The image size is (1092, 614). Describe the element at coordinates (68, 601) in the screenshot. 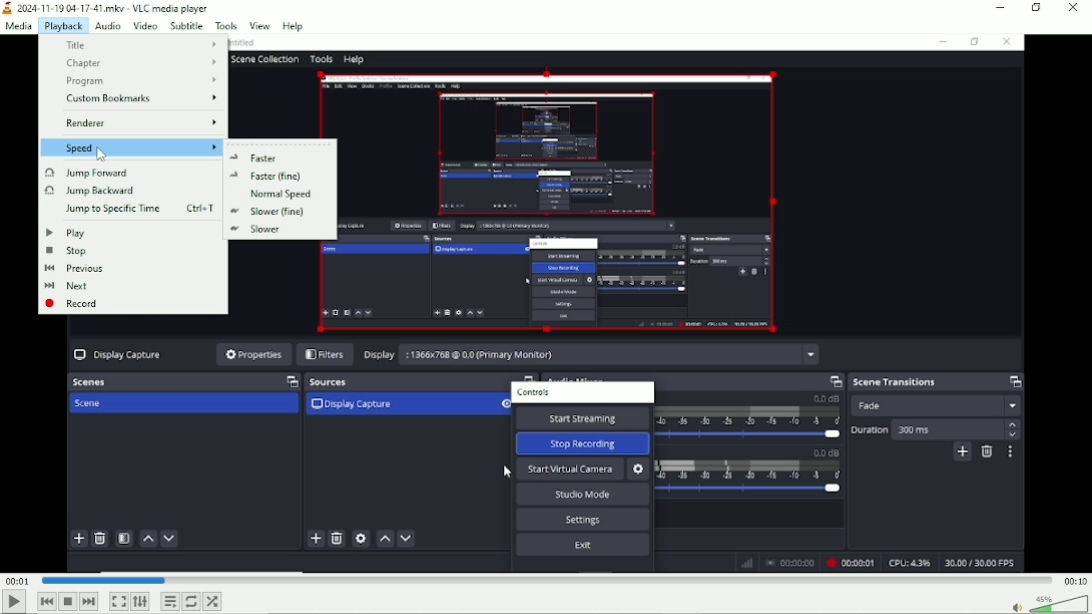

I see `Stop playlist` at that location.